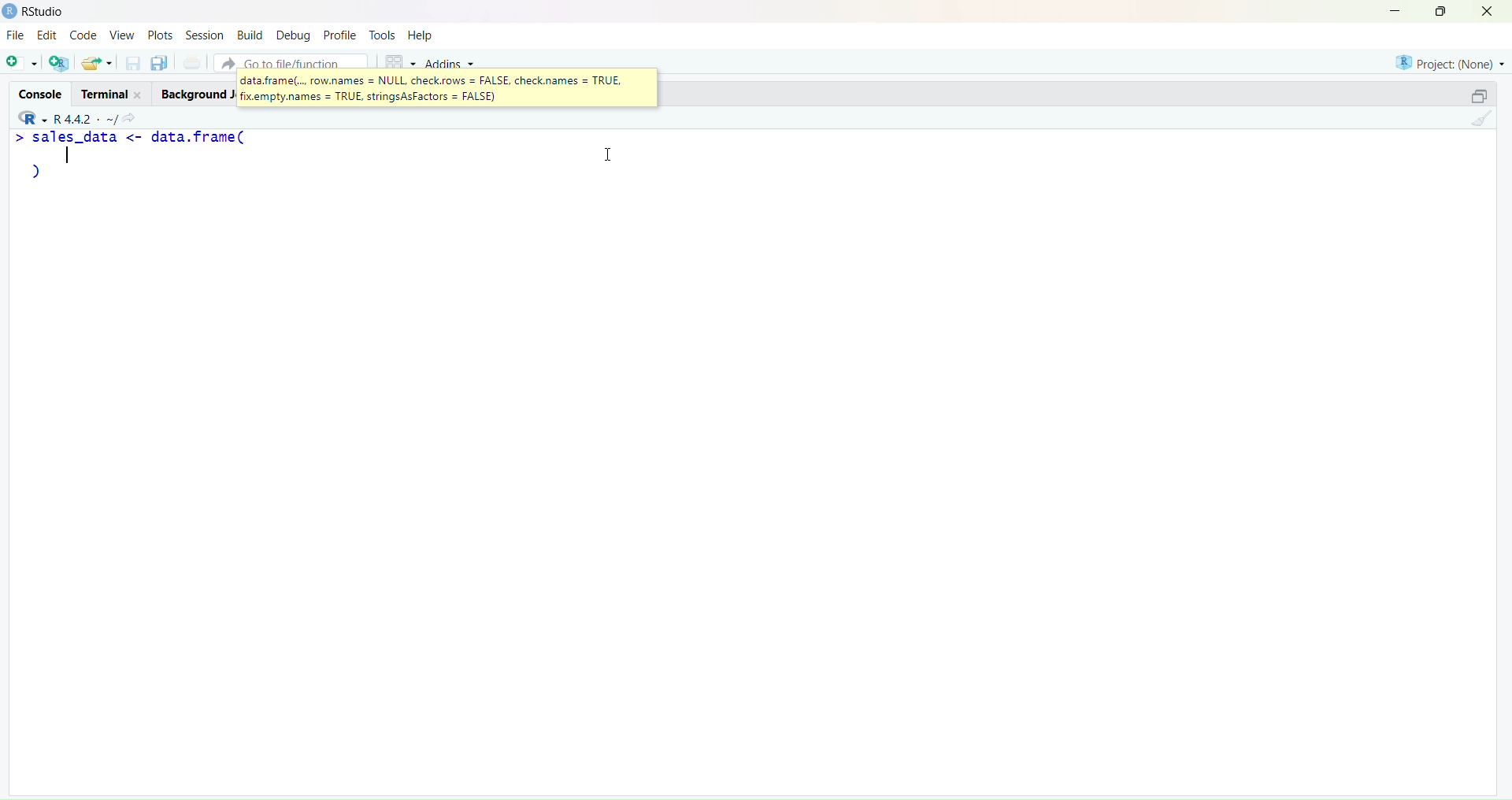 The width and height of the screenshot is (1512, 800). Describe the element at coordinates (20, 64) in the screenshot. I see `add script` at that location.